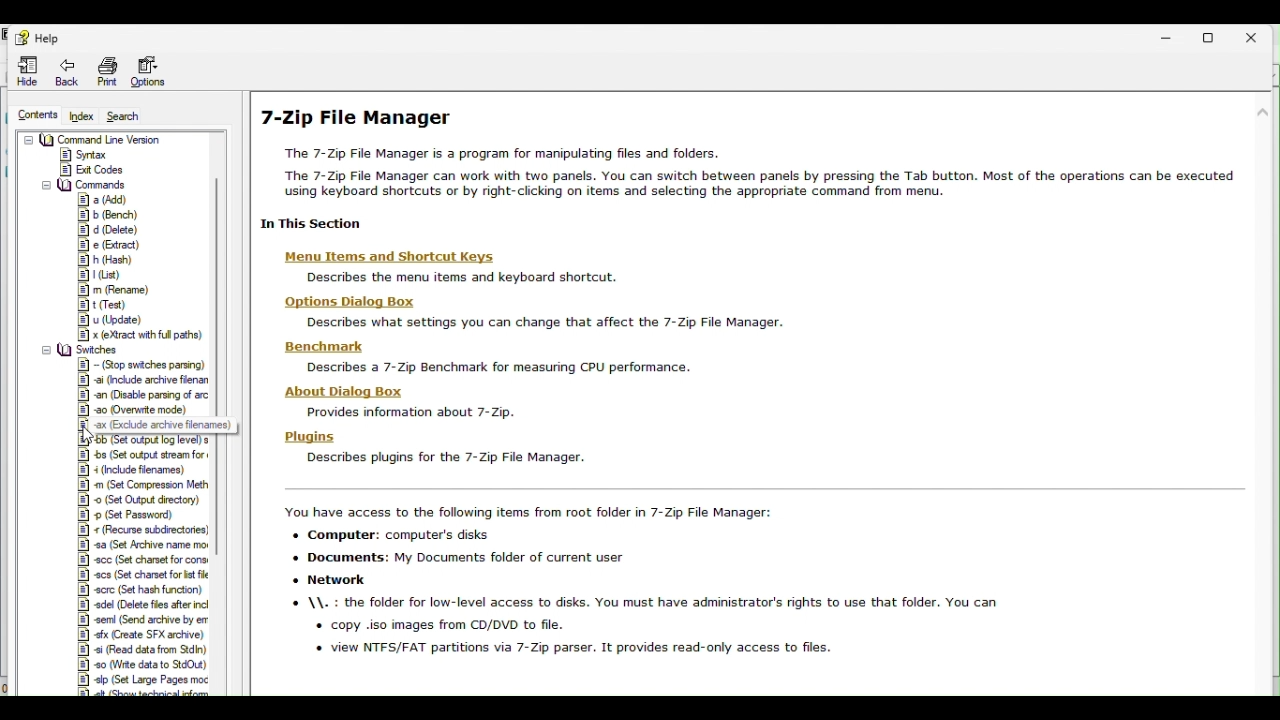 This screenshot has height=720, width=1280. I want to click on 8] adel (Delete files after incl, so click(144, 605).